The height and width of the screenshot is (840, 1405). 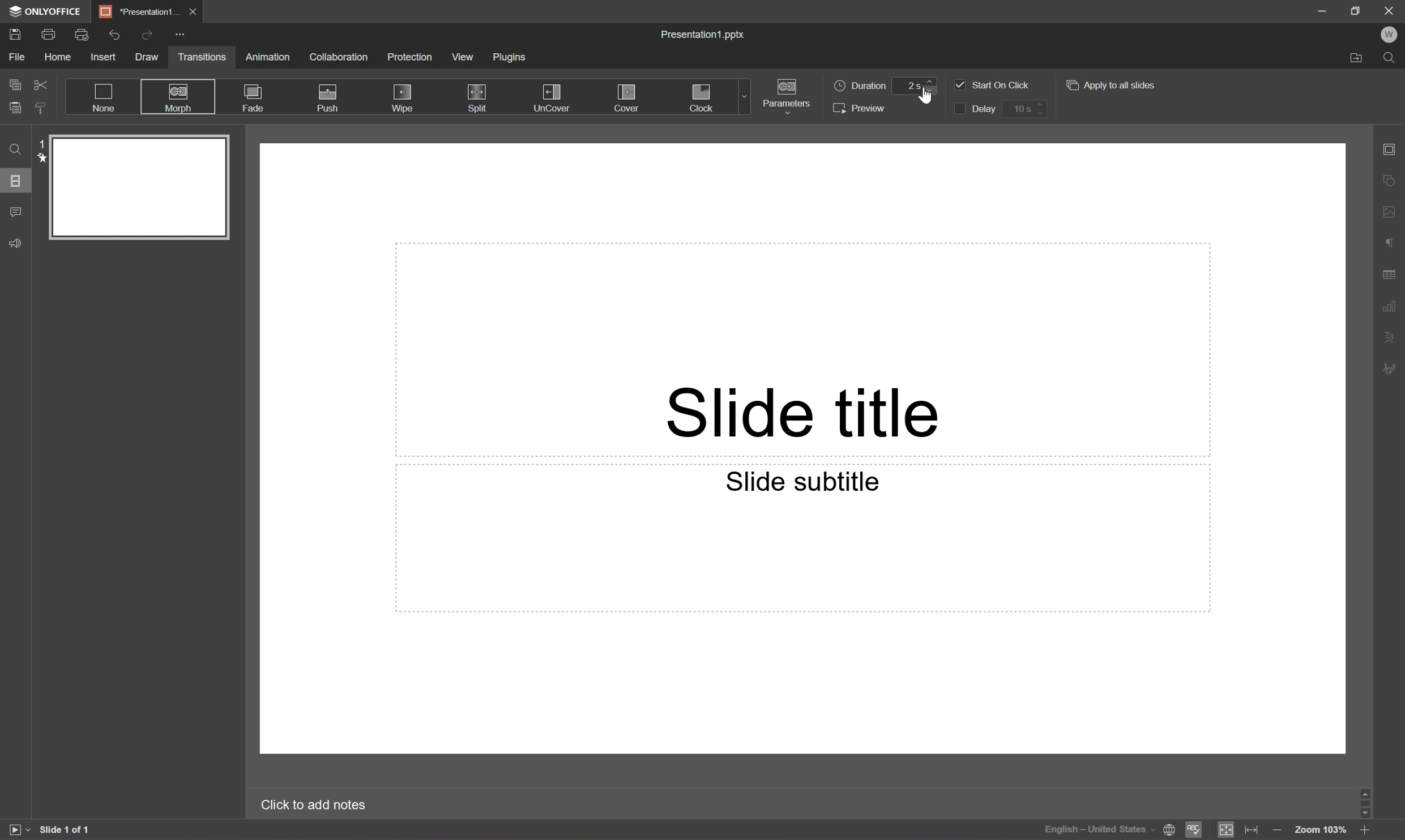 What do you see at coordinates (1362, 834) in the screenshot?
I see `Zoom in` at bounding box center [1362, 834].